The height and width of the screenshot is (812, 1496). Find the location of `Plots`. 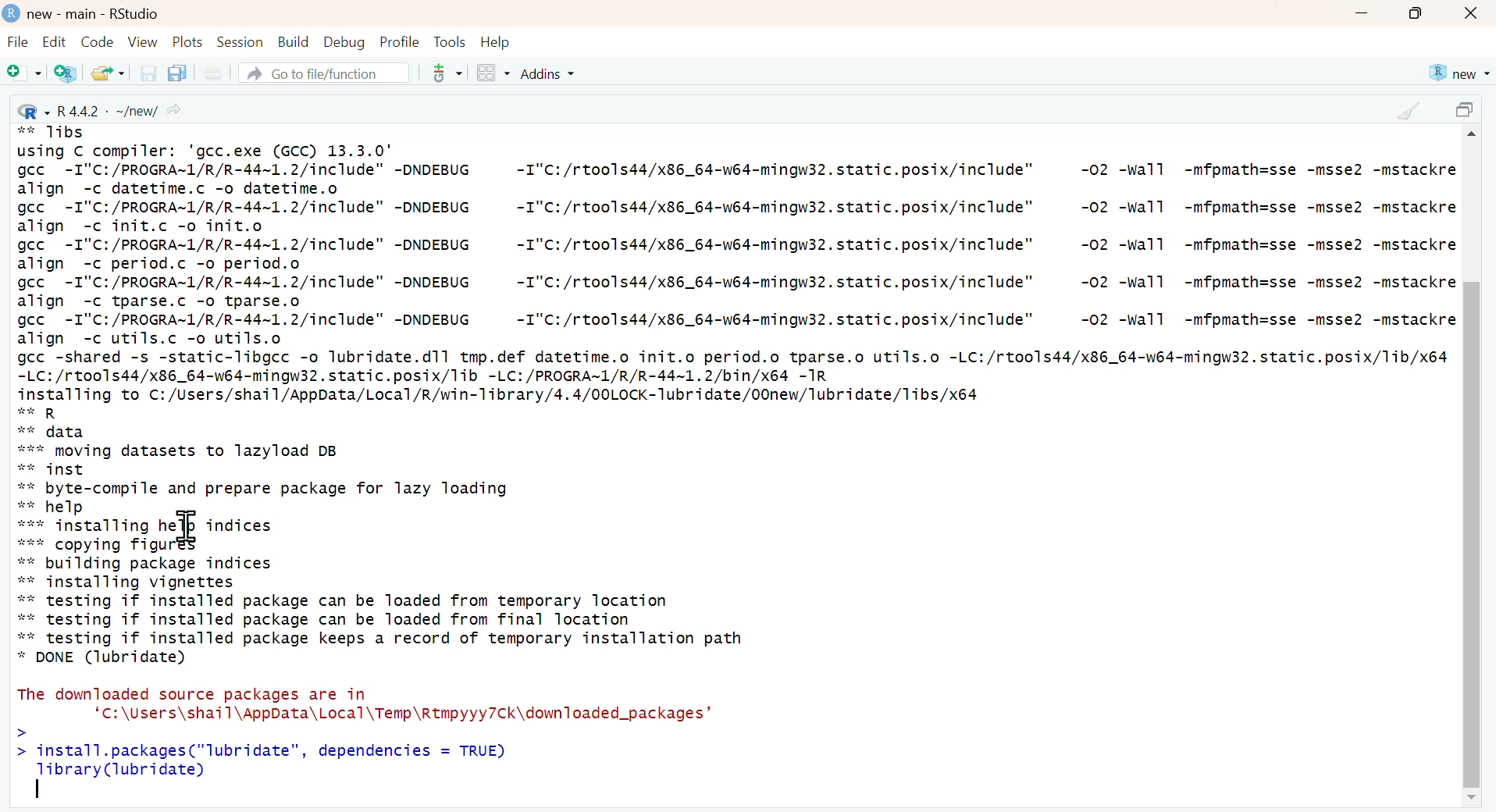

Plots is located at coordinates (188, 41).